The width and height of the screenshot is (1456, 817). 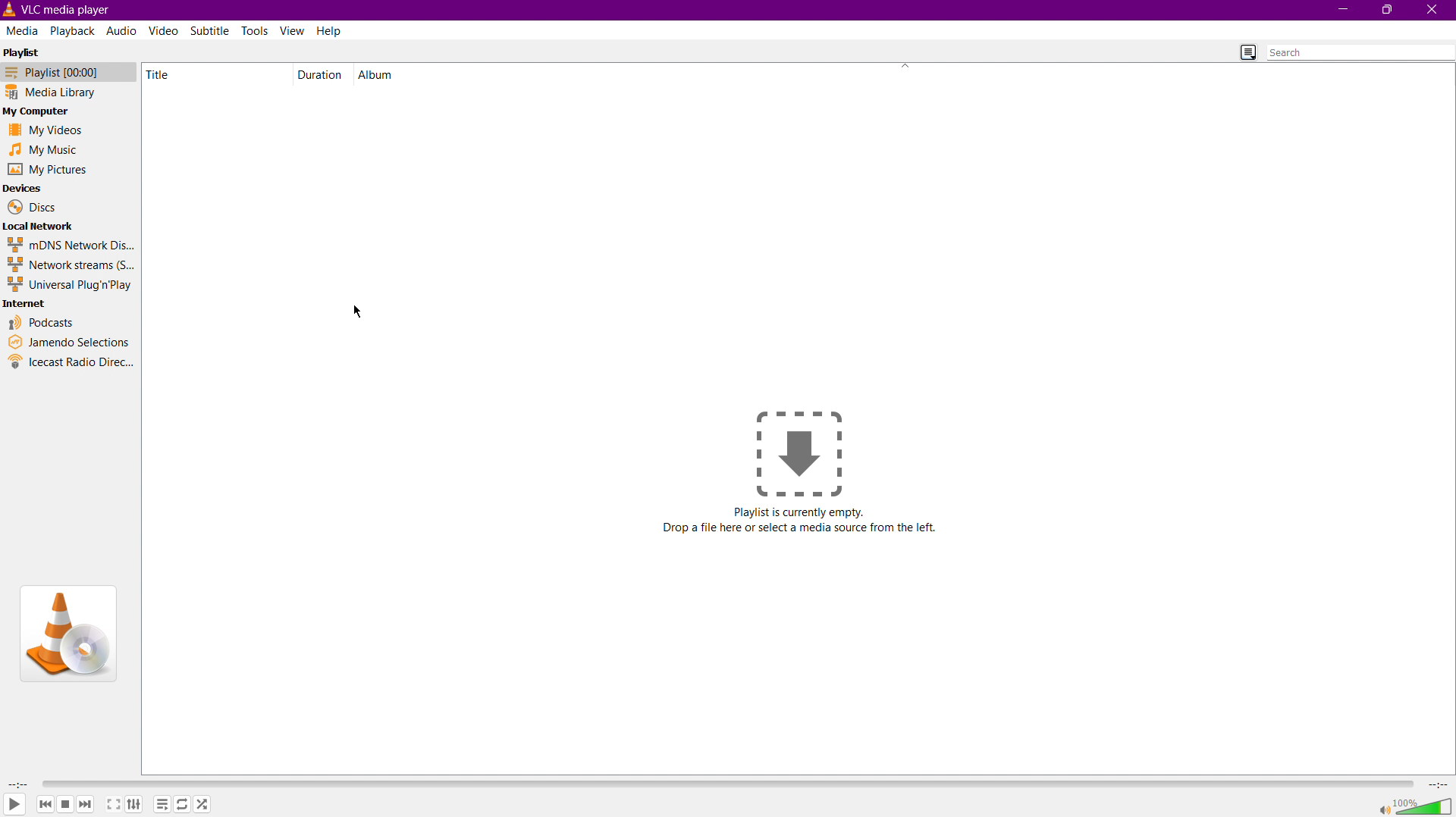 What do you see at coordinates (69, 284) in the screenshot?
I see `Universal Plug'n'Play` at bounding box center [69, 284].